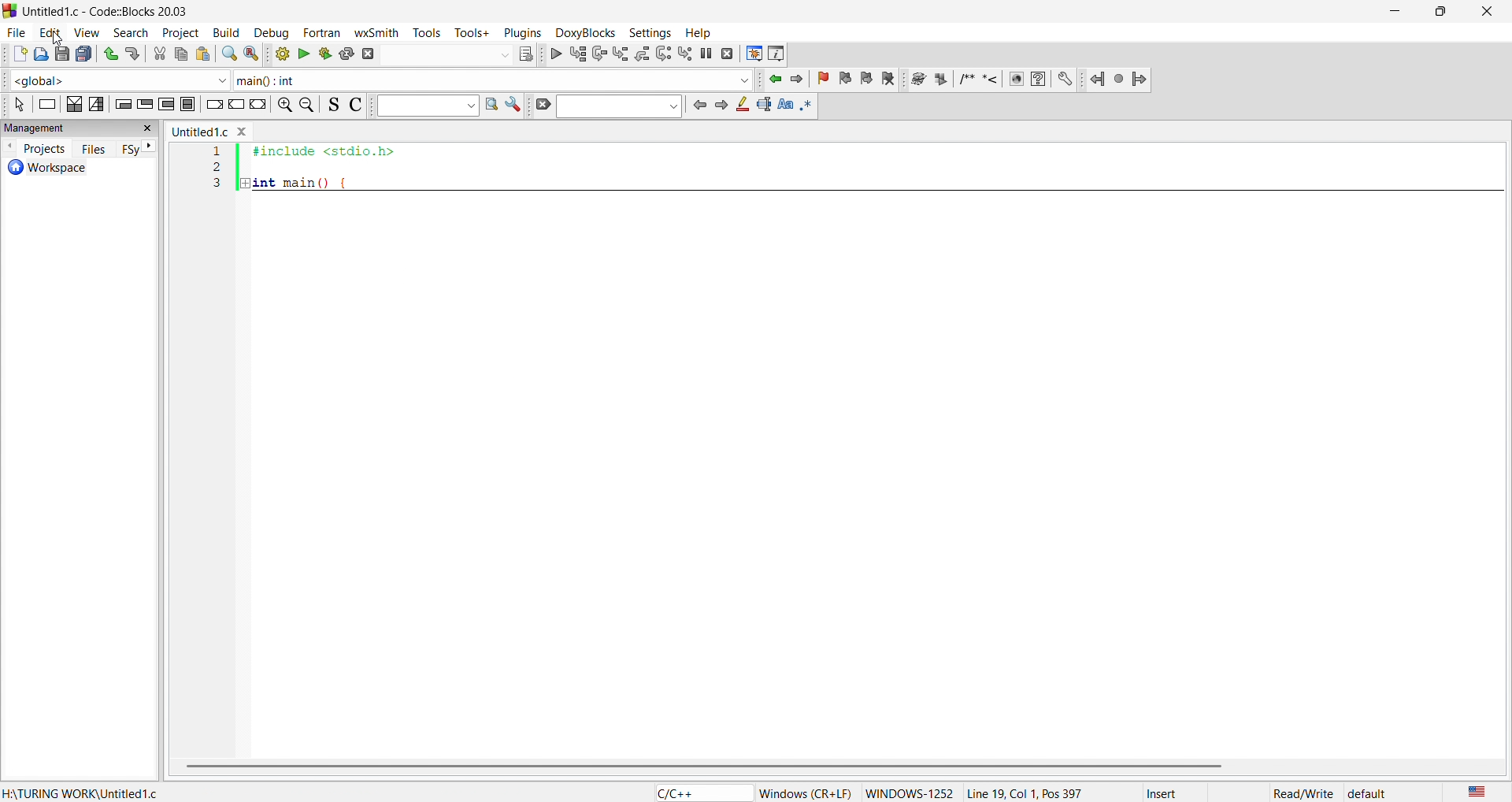 Image resolution: width=1512 pixels, height=802 pixels. I want to click on entry condition loop, so click(120, 103).